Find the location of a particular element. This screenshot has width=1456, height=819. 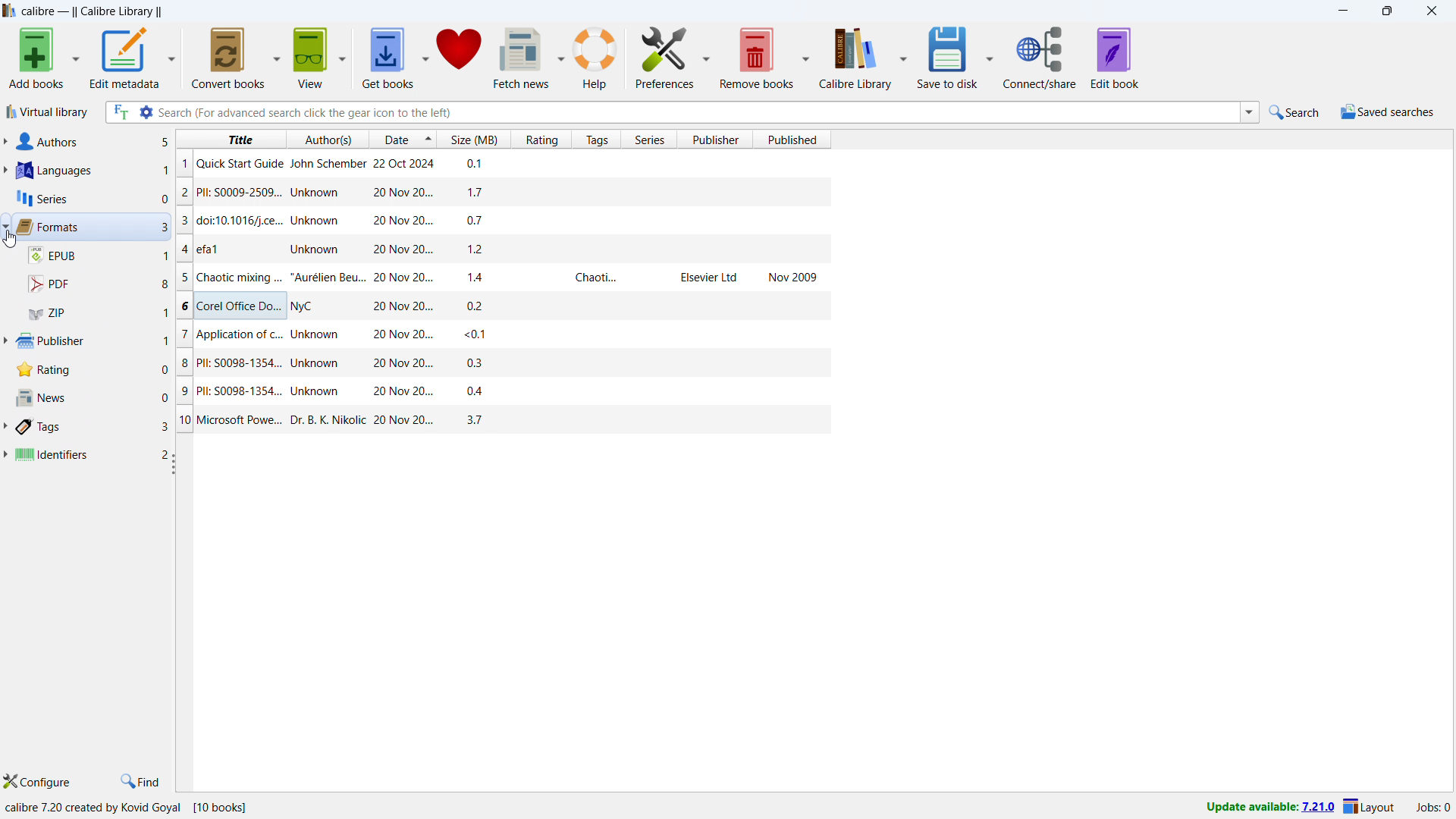

saved searches is located at coordinates (1390, 111).